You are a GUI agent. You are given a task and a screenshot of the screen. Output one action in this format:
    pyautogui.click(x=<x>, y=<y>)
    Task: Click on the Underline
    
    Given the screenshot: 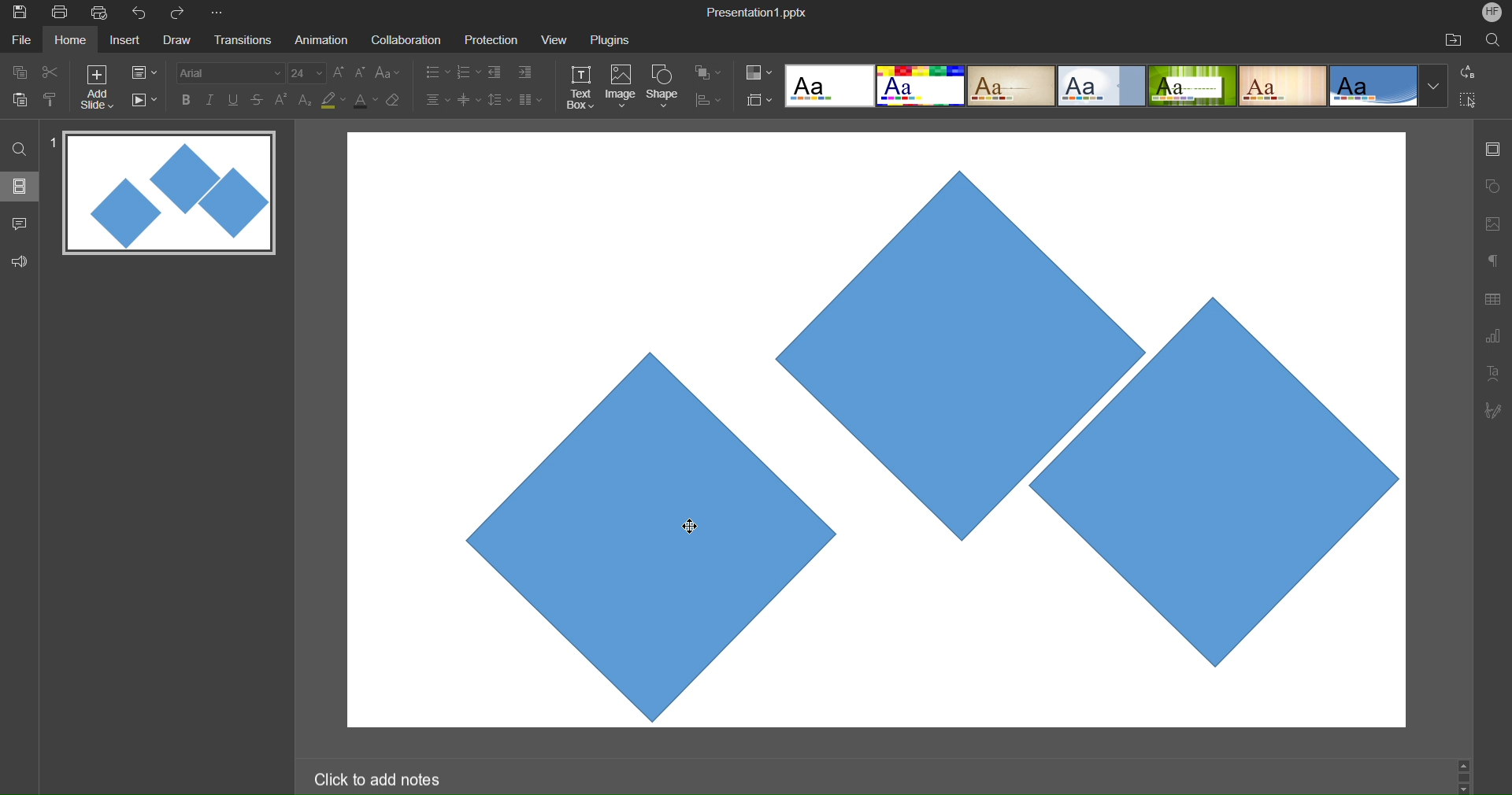 What is the action you would take?
    pyautogui.click(x=234, y=100)
    